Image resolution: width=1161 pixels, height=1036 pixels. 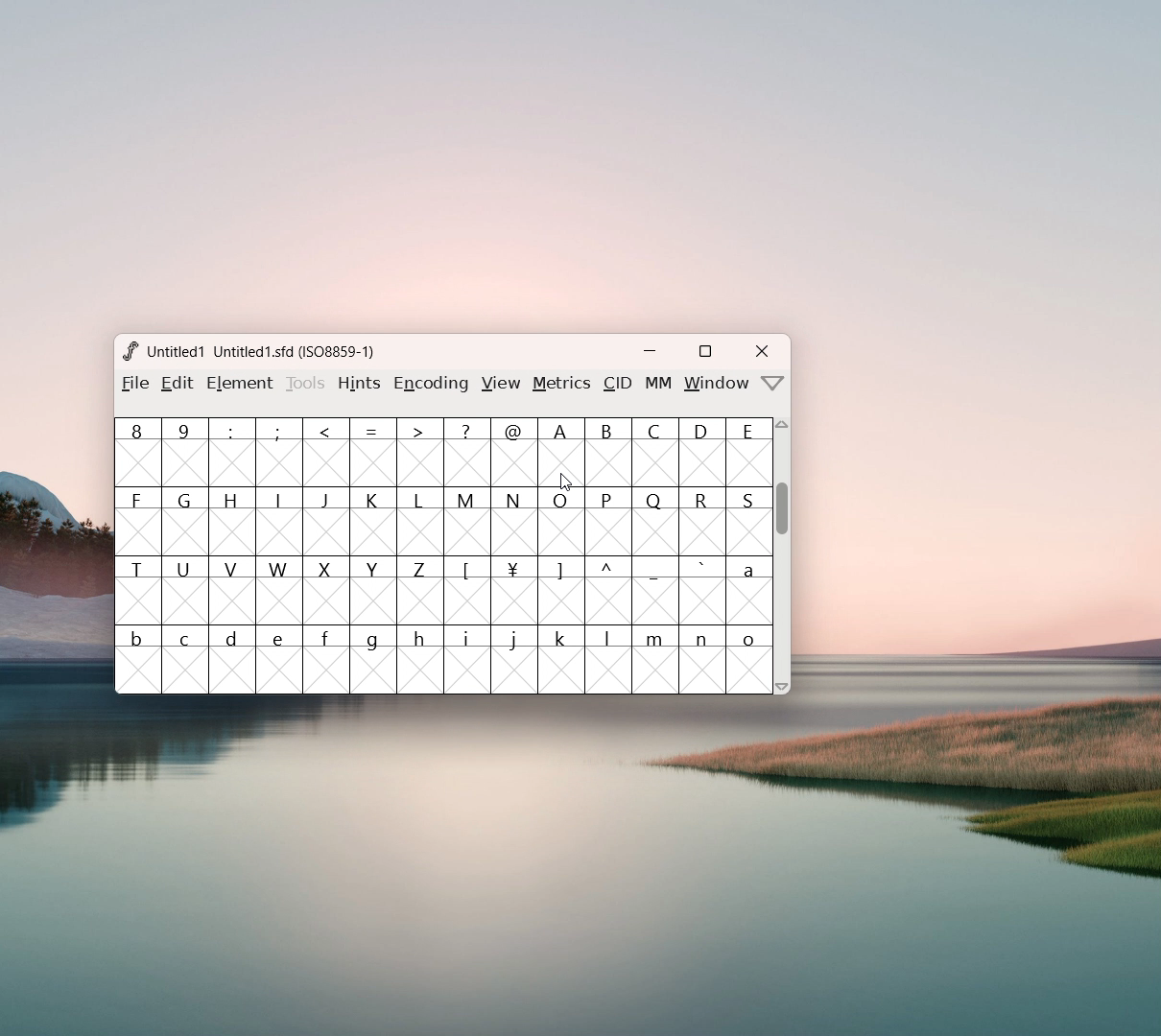 I want to click on k, so click(x=563, y=661).